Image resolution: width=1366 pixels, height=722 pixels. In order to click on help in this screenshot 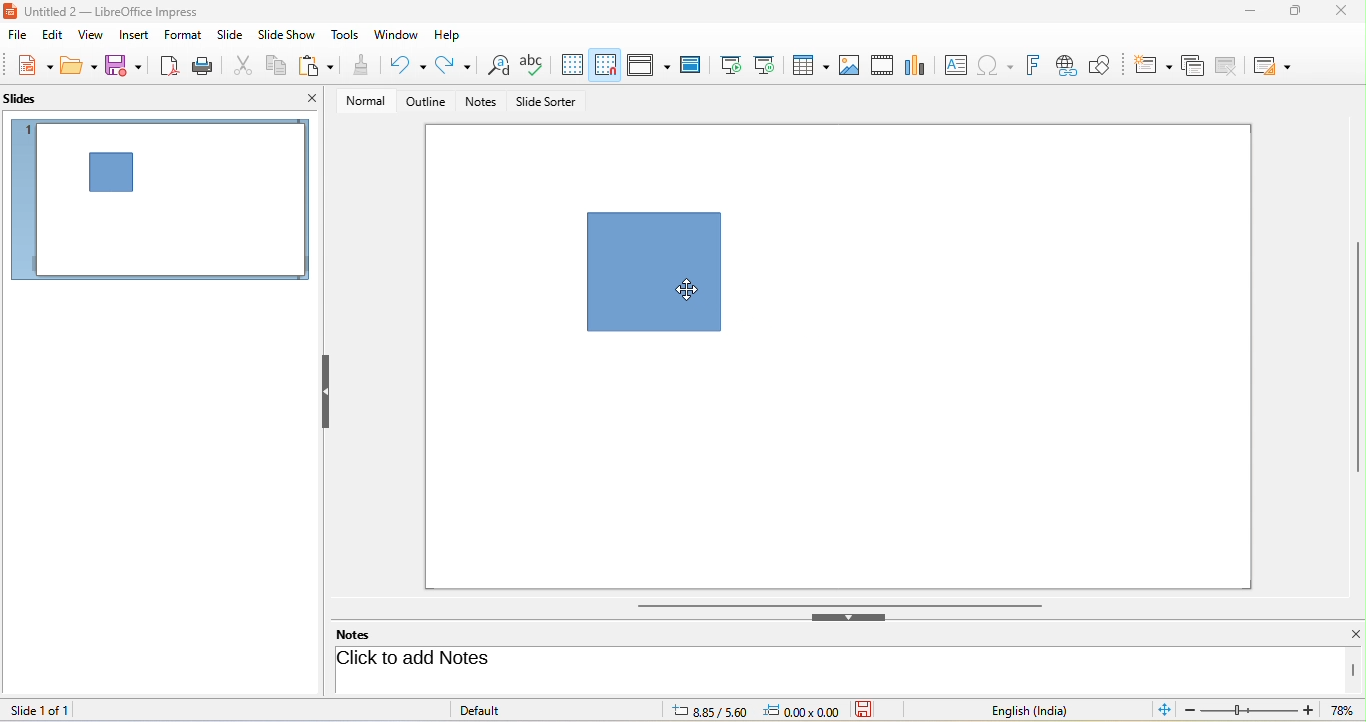, I will do `click(449, 33)`.